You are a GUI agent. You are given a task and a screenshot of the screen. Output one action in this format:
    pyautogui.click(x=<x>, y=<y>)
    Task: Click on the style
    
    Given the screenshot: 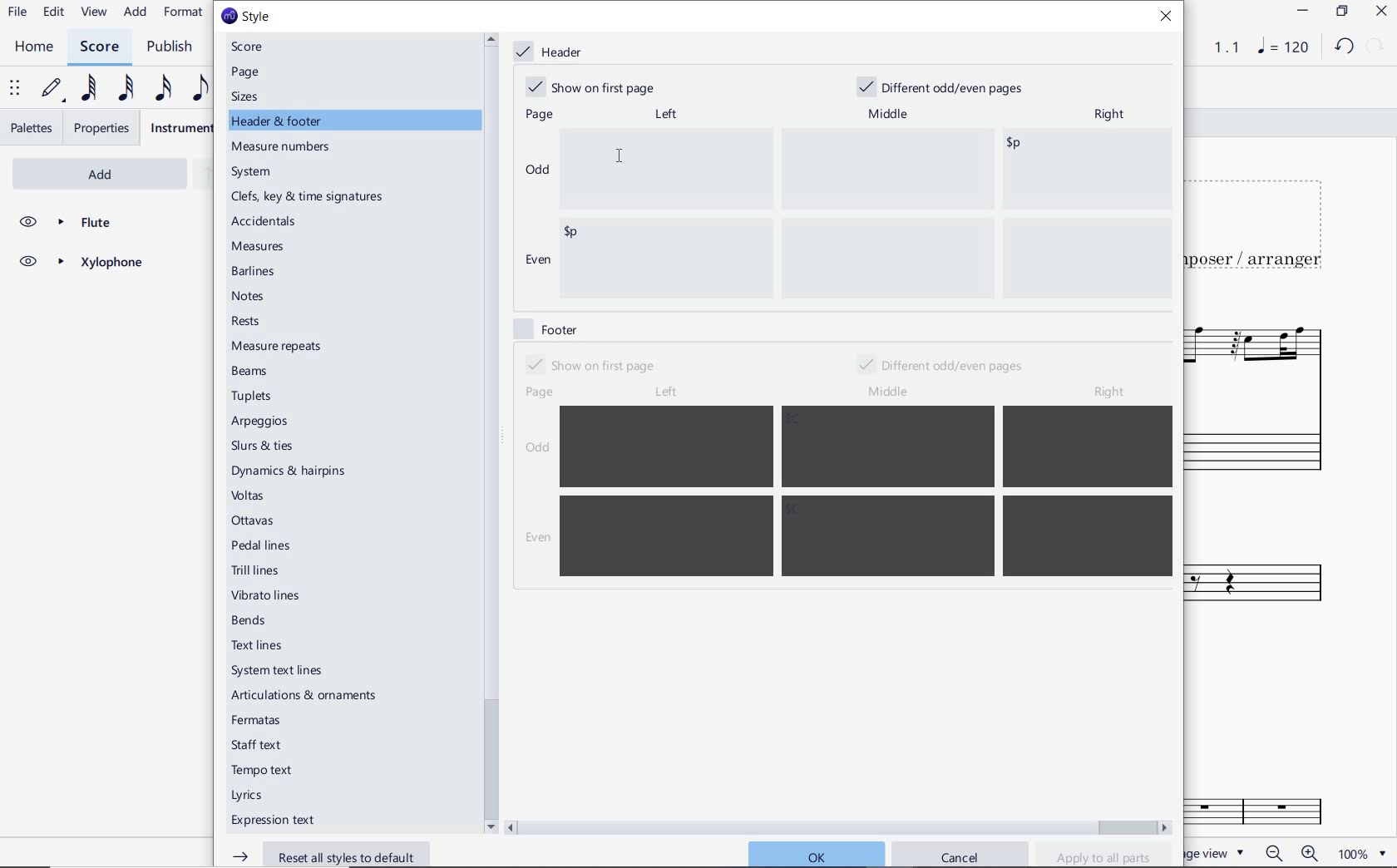 What is the action you would take?
    pyautogui.click(x=245, y=17)
    